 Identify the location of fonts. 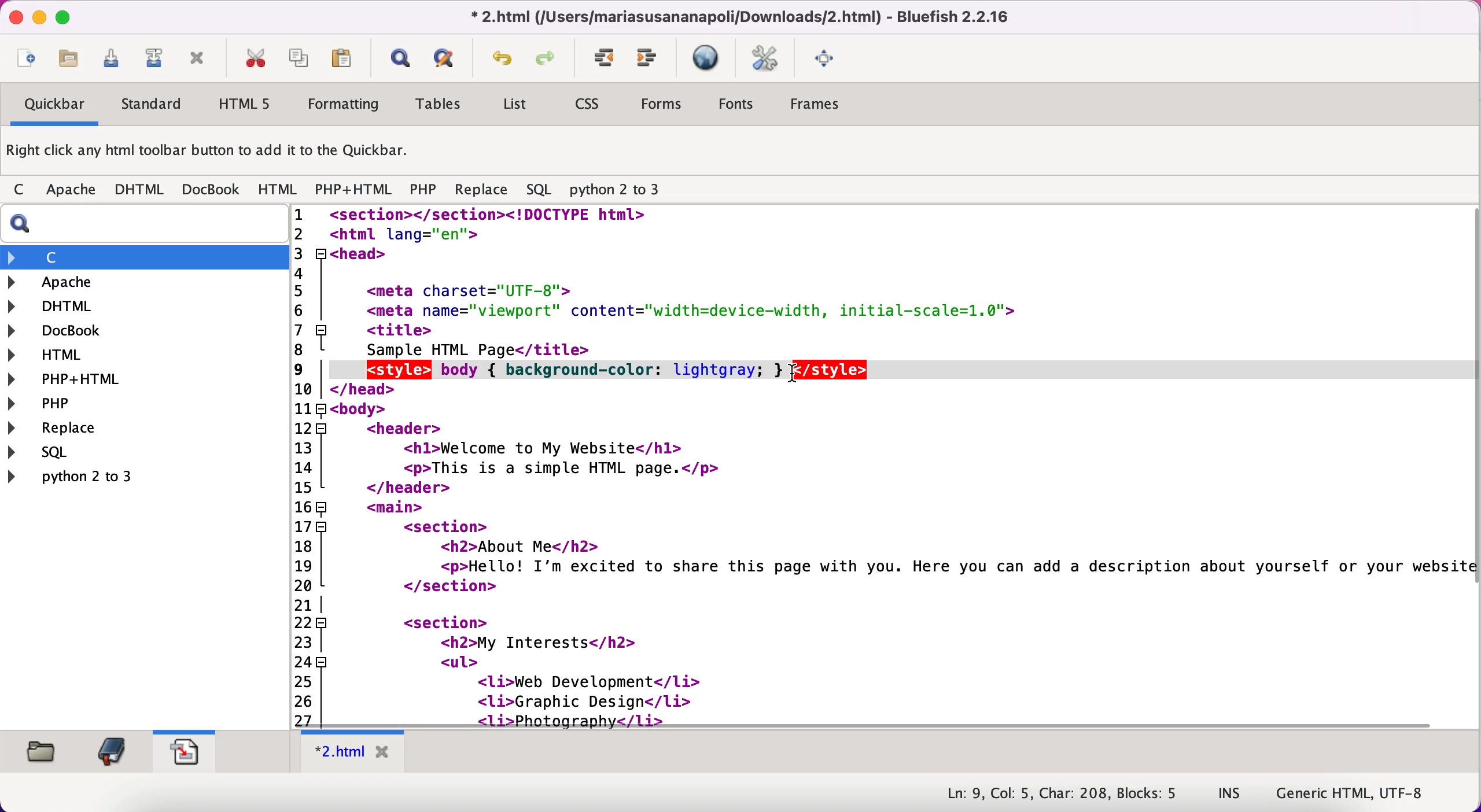
(736, 106).